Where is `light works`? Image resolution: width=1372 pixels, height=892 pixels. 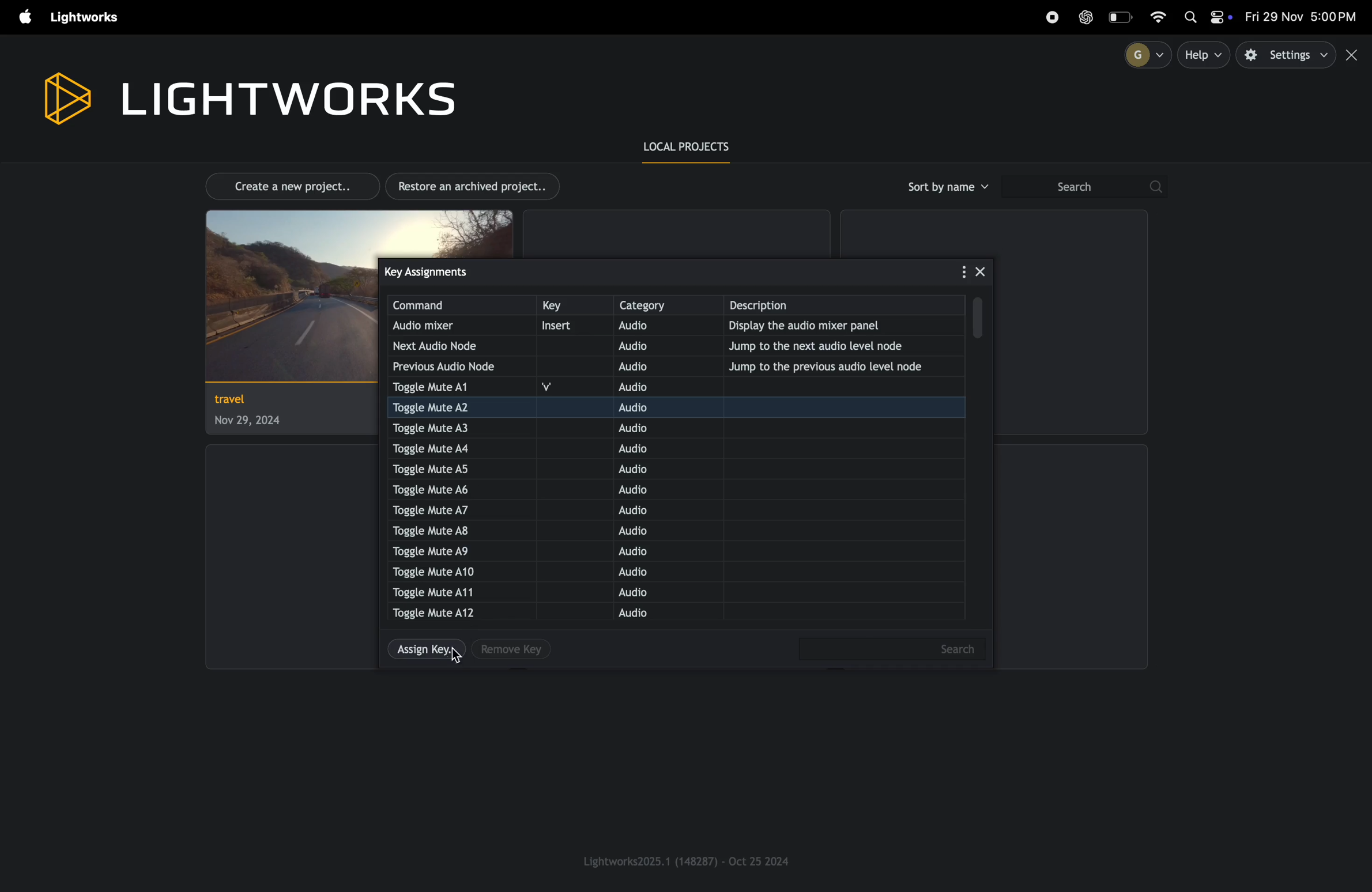
light works is located at coordinates (247, 96).